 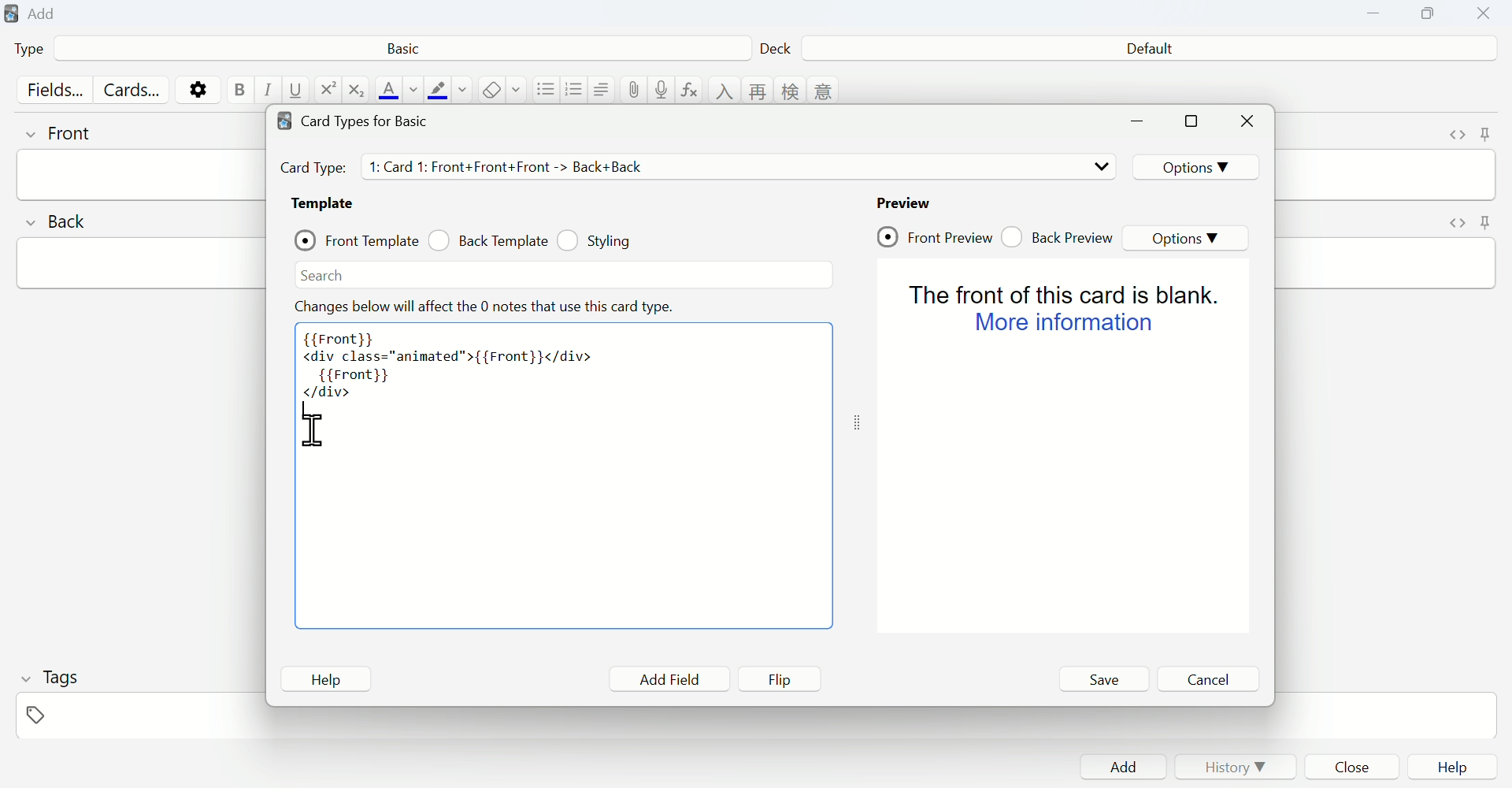 I want to click on front input field, so click(x=141, y=174).